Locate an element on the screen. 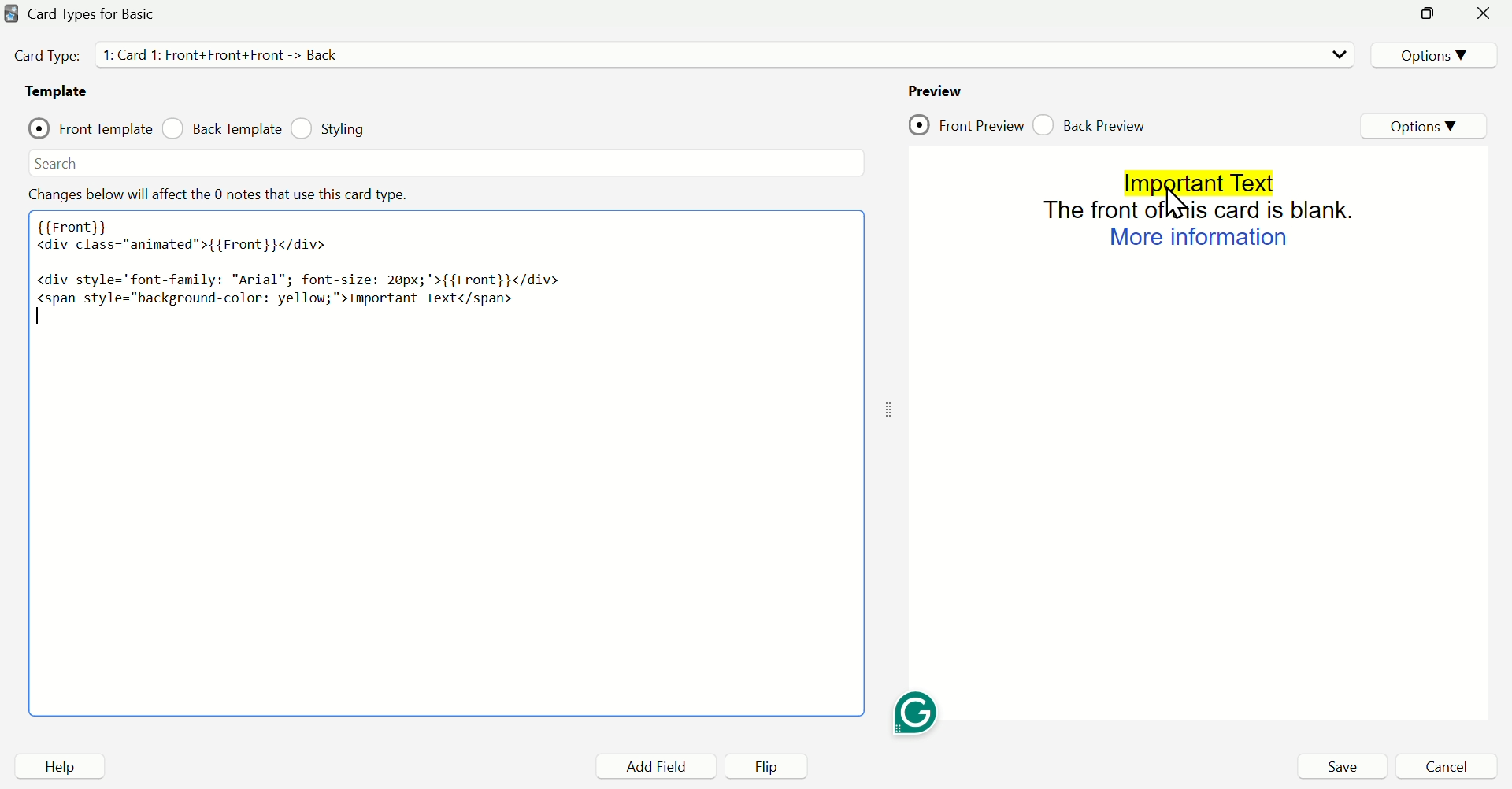 The height and width of the screenshot is (789, 1512). Card Types for Basic is located at coordinates (91, 14).